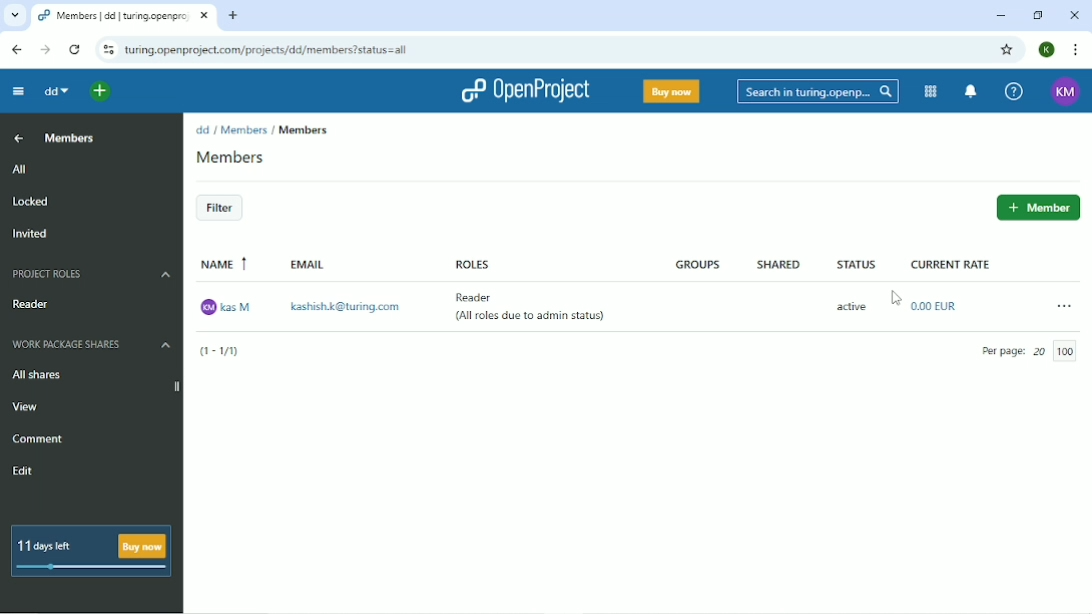 The width and height of the screenshot is (1092, 614). Describe the element at coordinates (1074, 15) in the screenshot. I see `Close` at that location.